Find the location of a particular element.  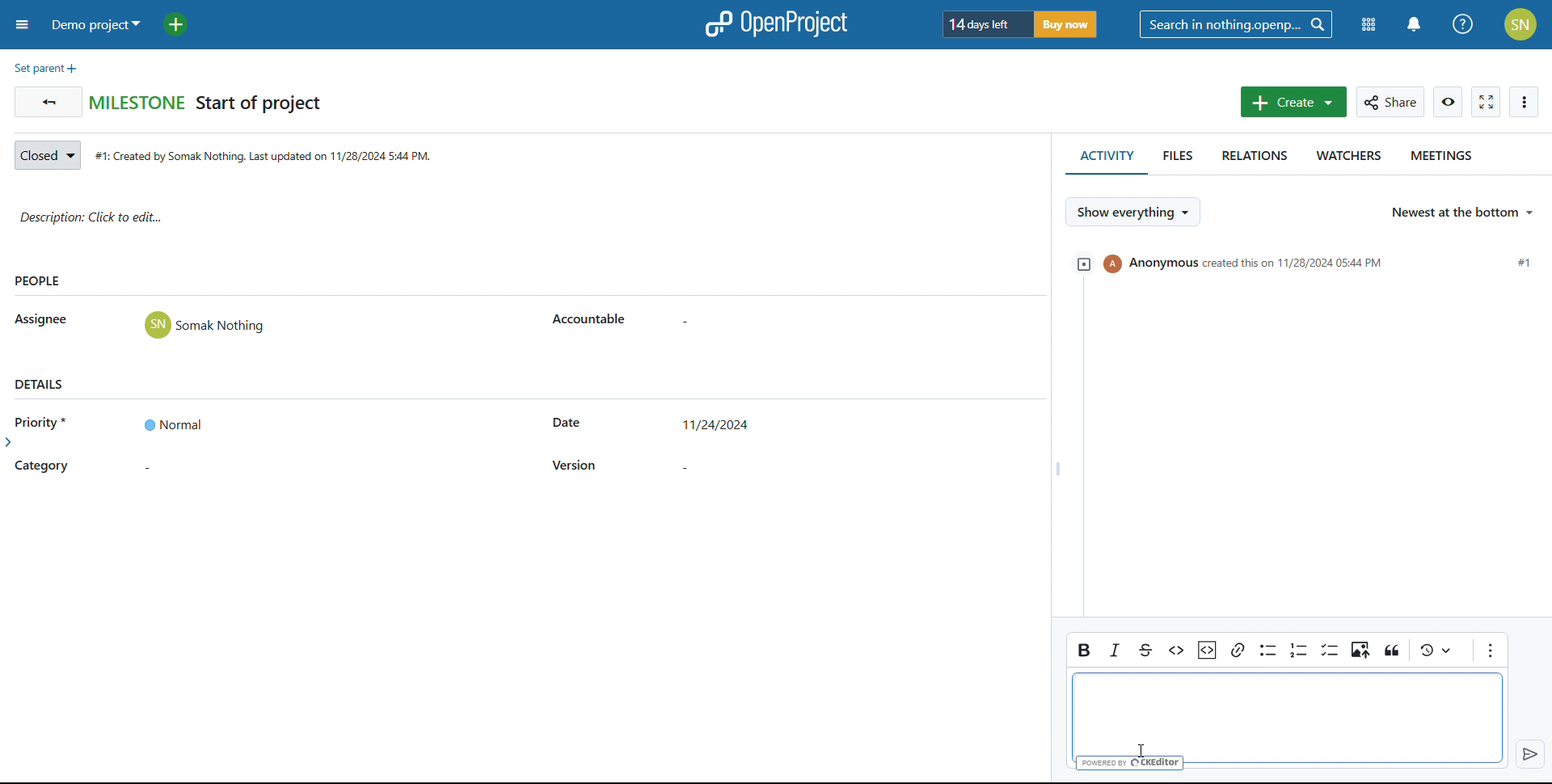

code is located at coordinates (1176, 651).